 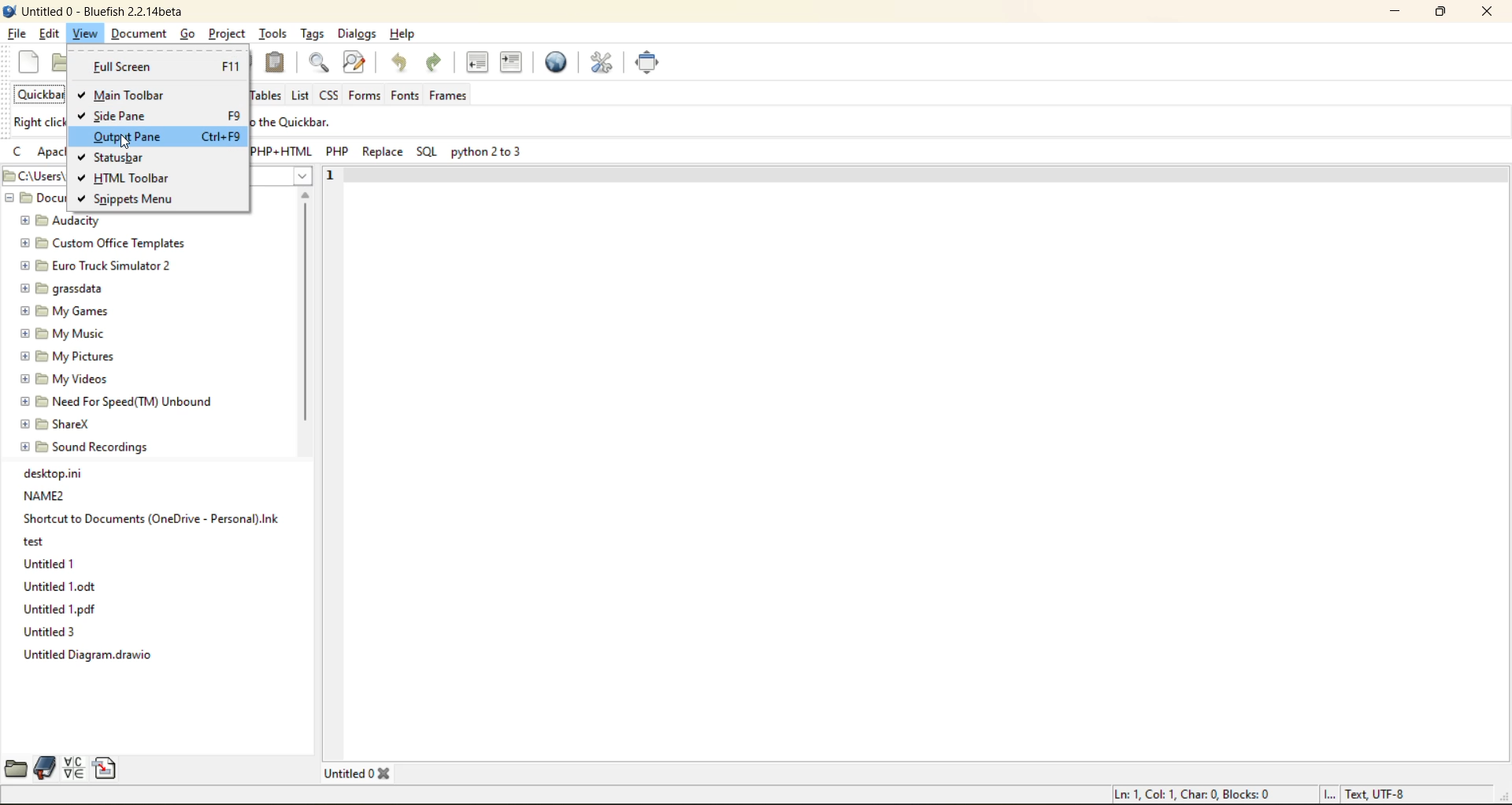 I want to click on php html, so click(x=282, y=153).